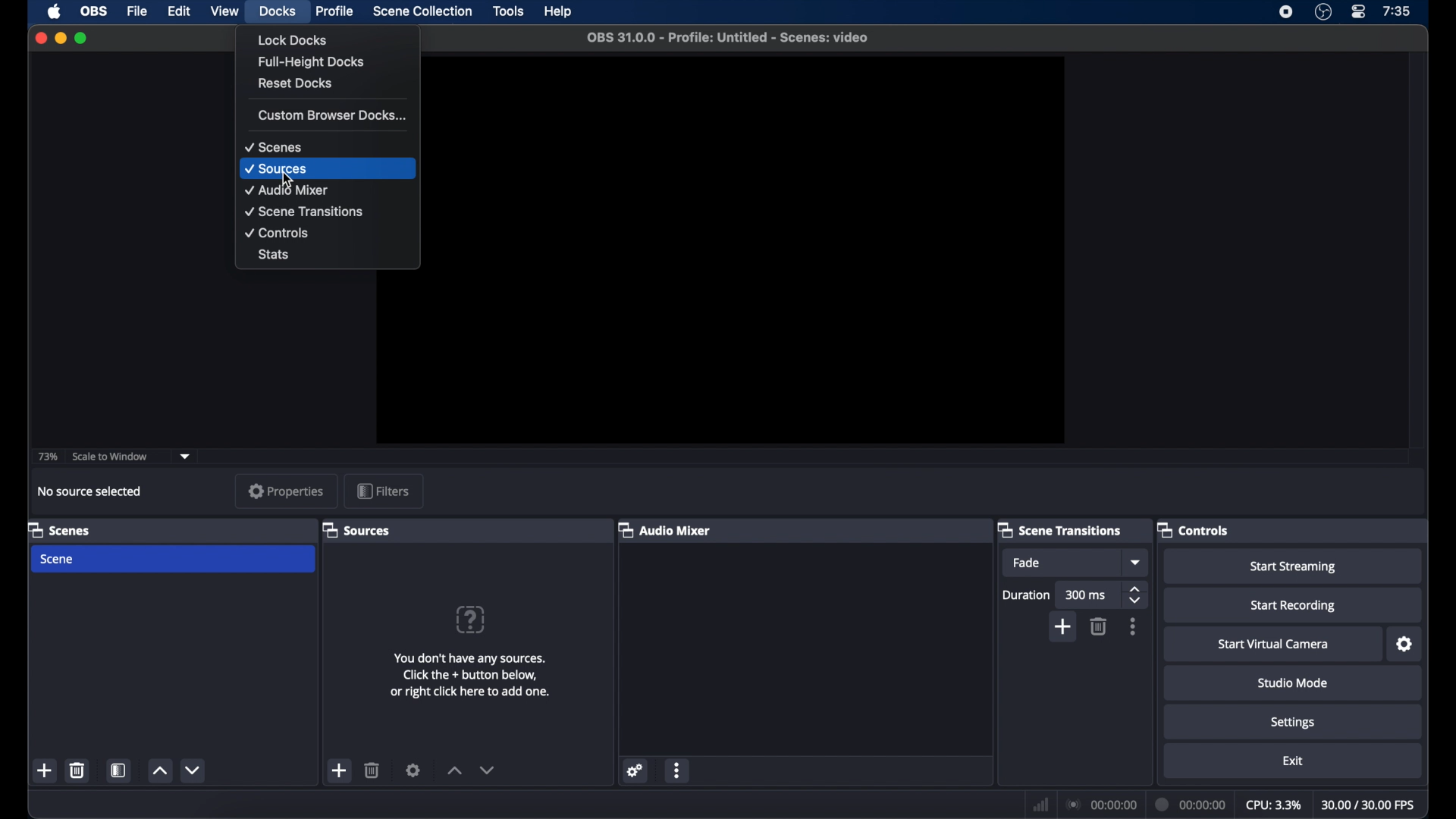  What do you see at coordinates (1292, 682) in the screenshot?
I see `studio mode` at bounding box center [1292, 682].